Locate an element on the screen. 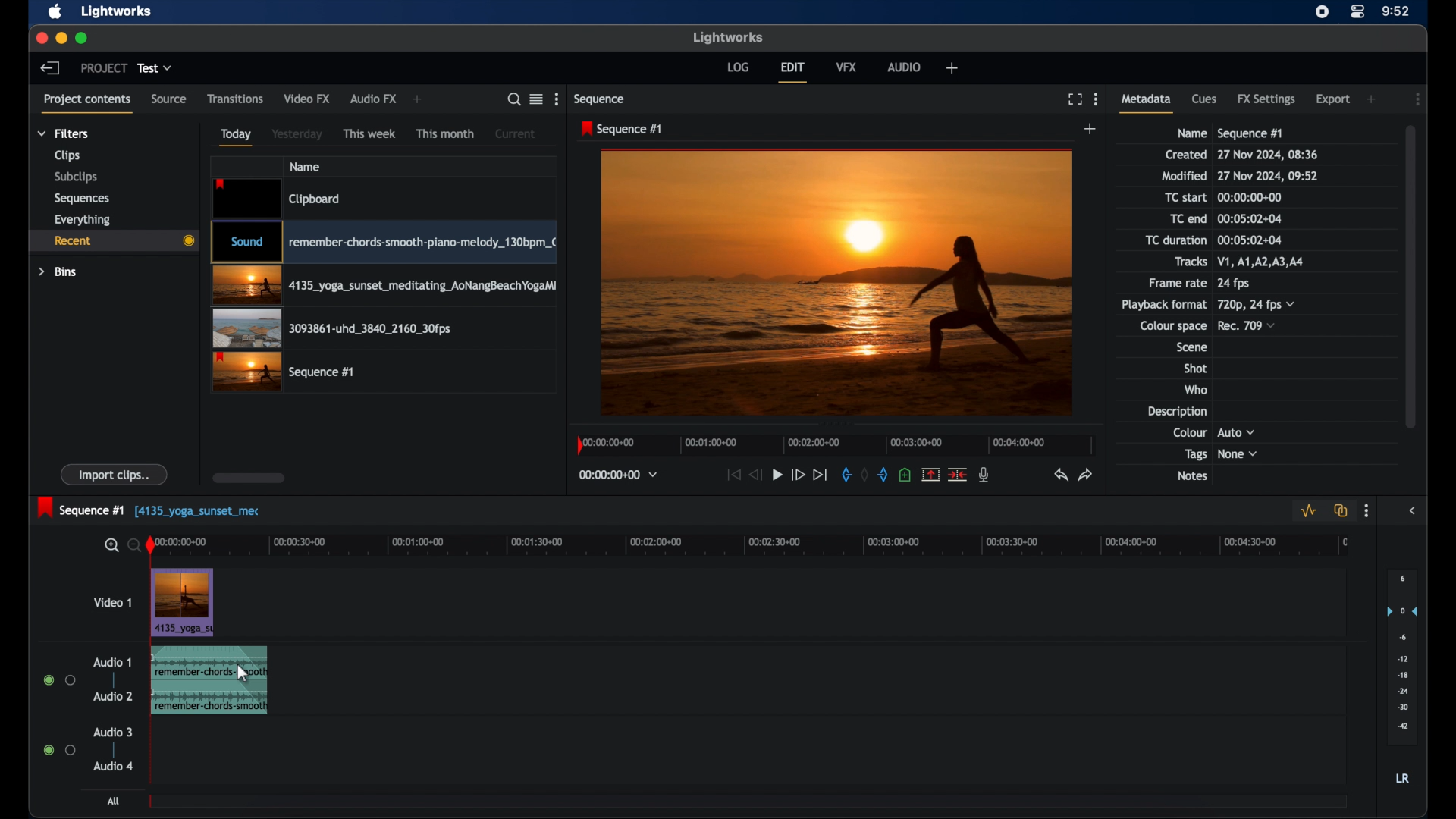  jump to start is located at coordinates (733, 474).